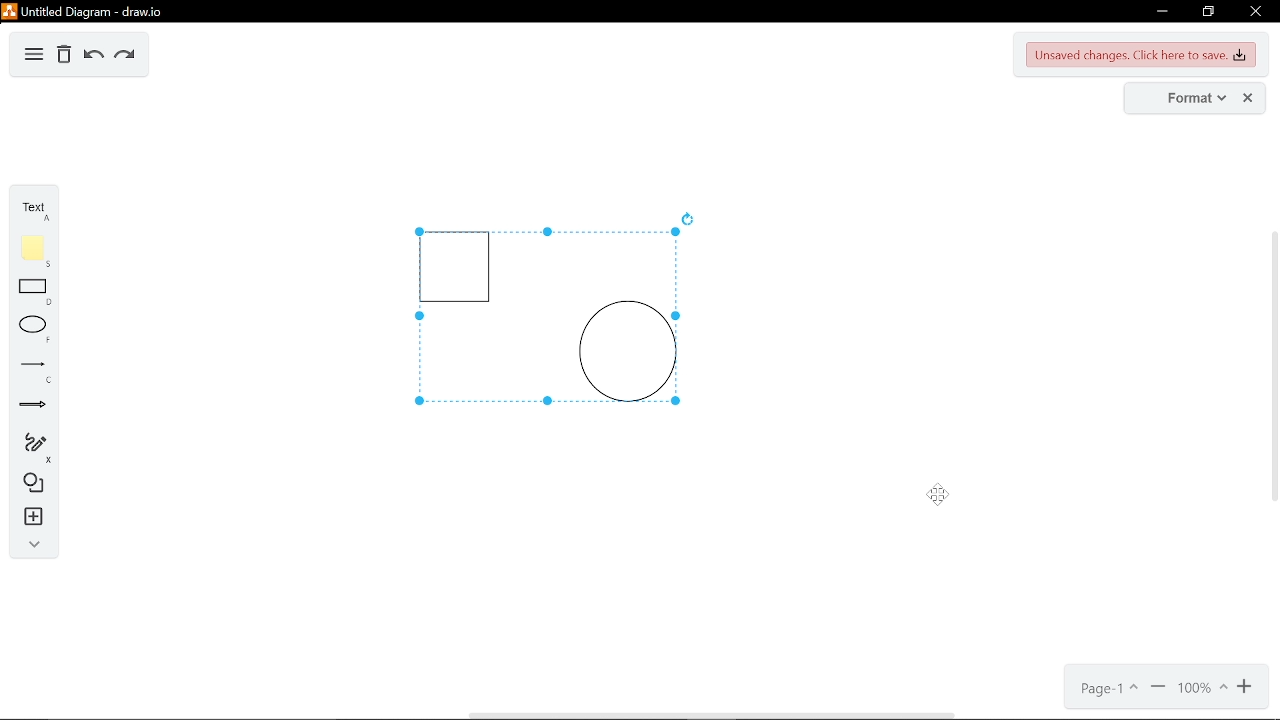  What do you see at coordinates (30, 517) in the screenshot?
I see `insert` at bounding box center [30, 517].